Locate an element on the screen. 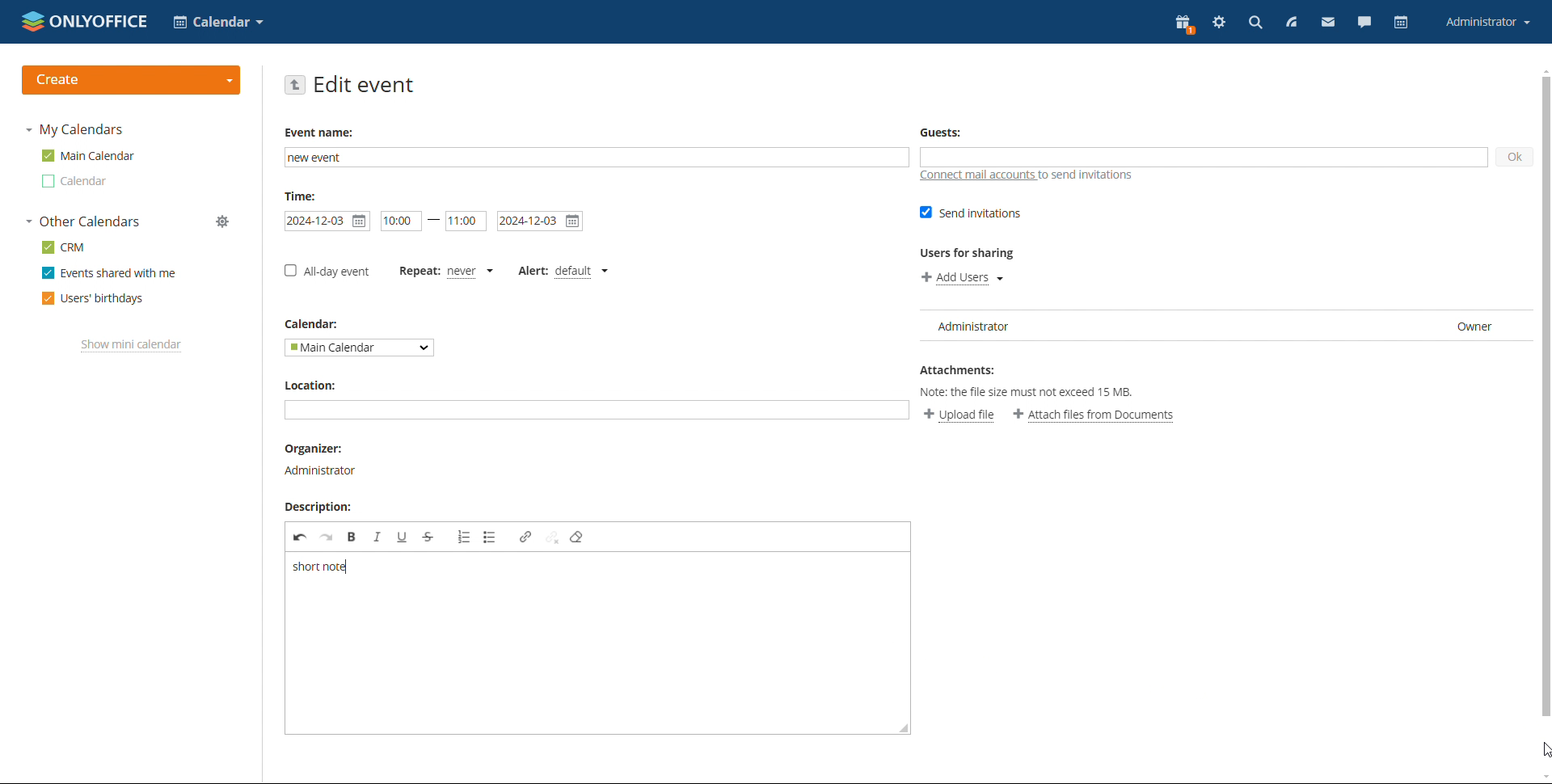 This screenshot has height=784, width=1552. feed is located at coordinates (1291, 23).